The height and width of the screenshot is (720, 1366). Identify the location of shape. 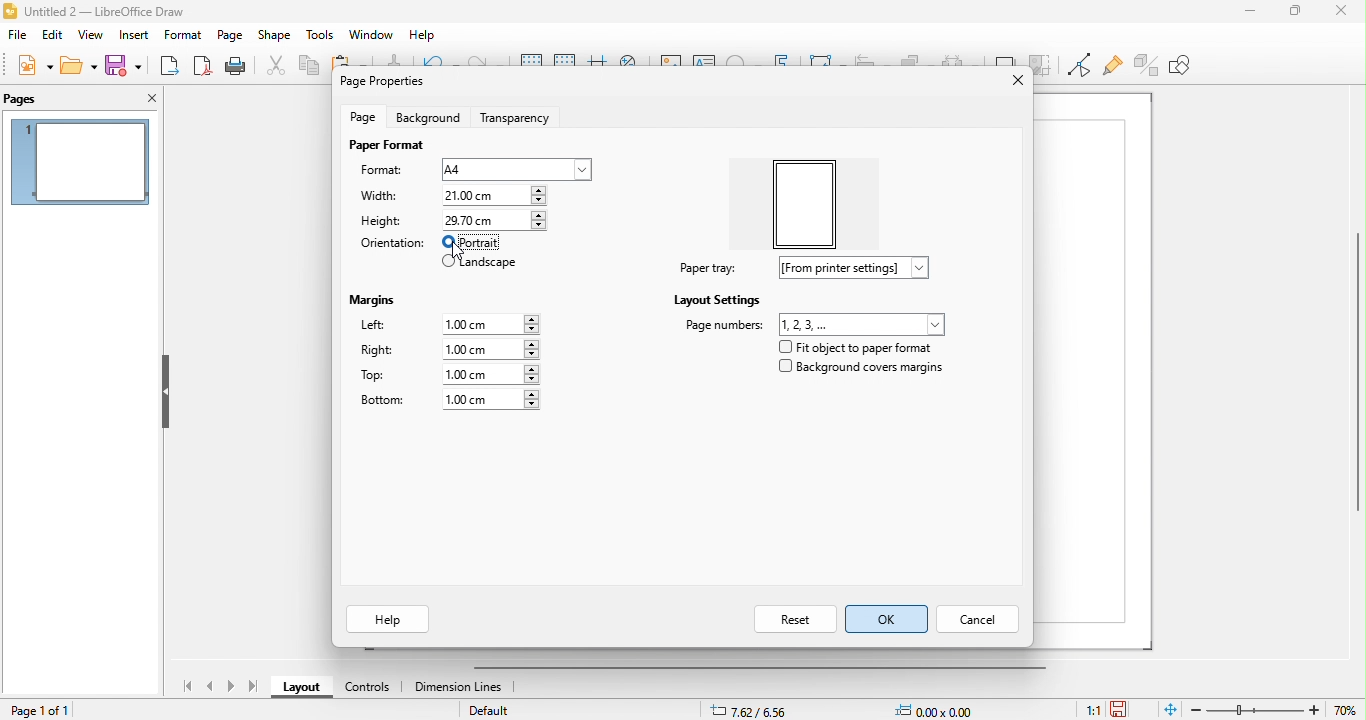
(275, 36).